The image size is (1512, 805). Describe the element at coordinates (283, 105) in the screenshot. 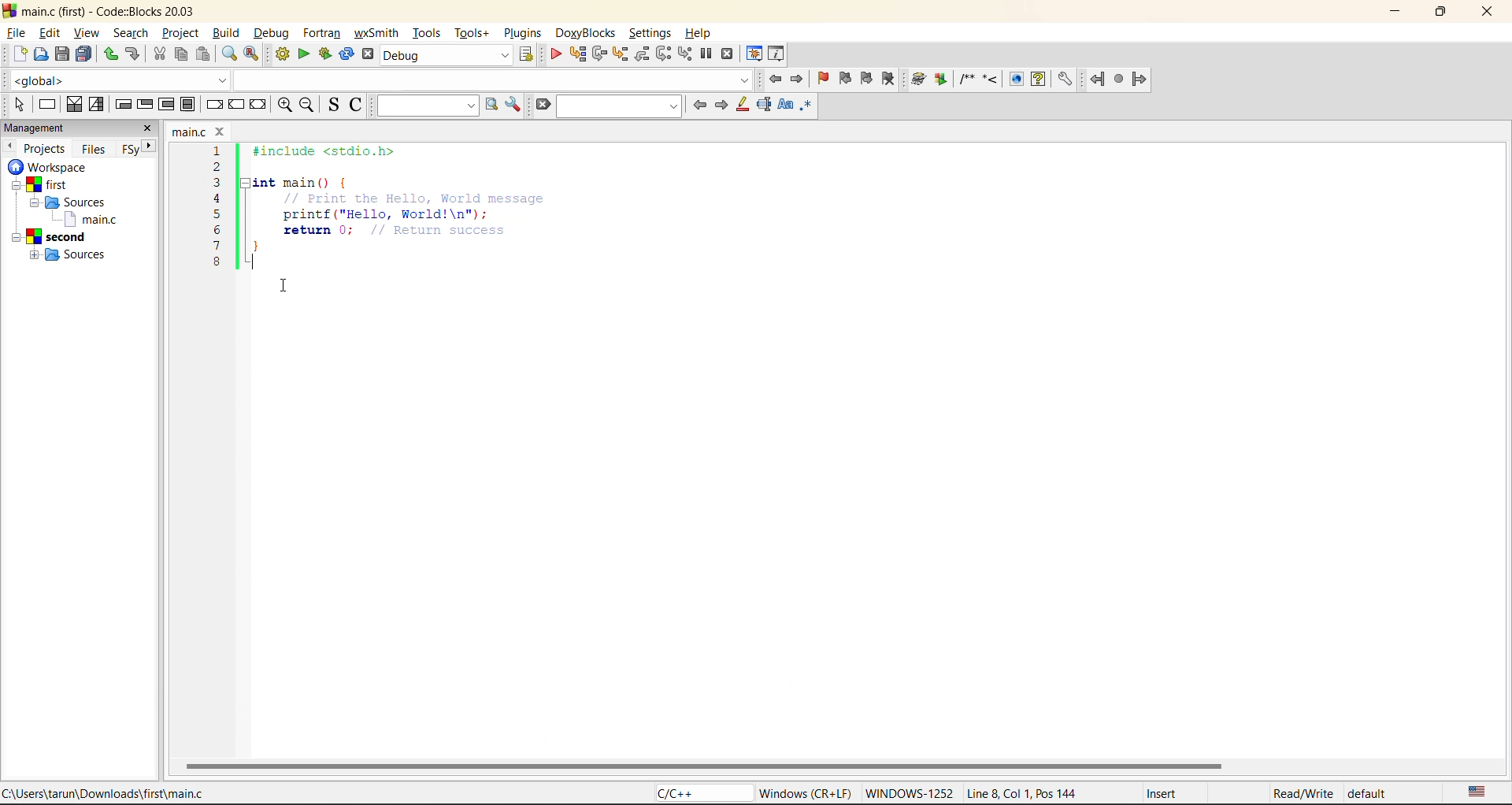

I see `zoom in` at that location.